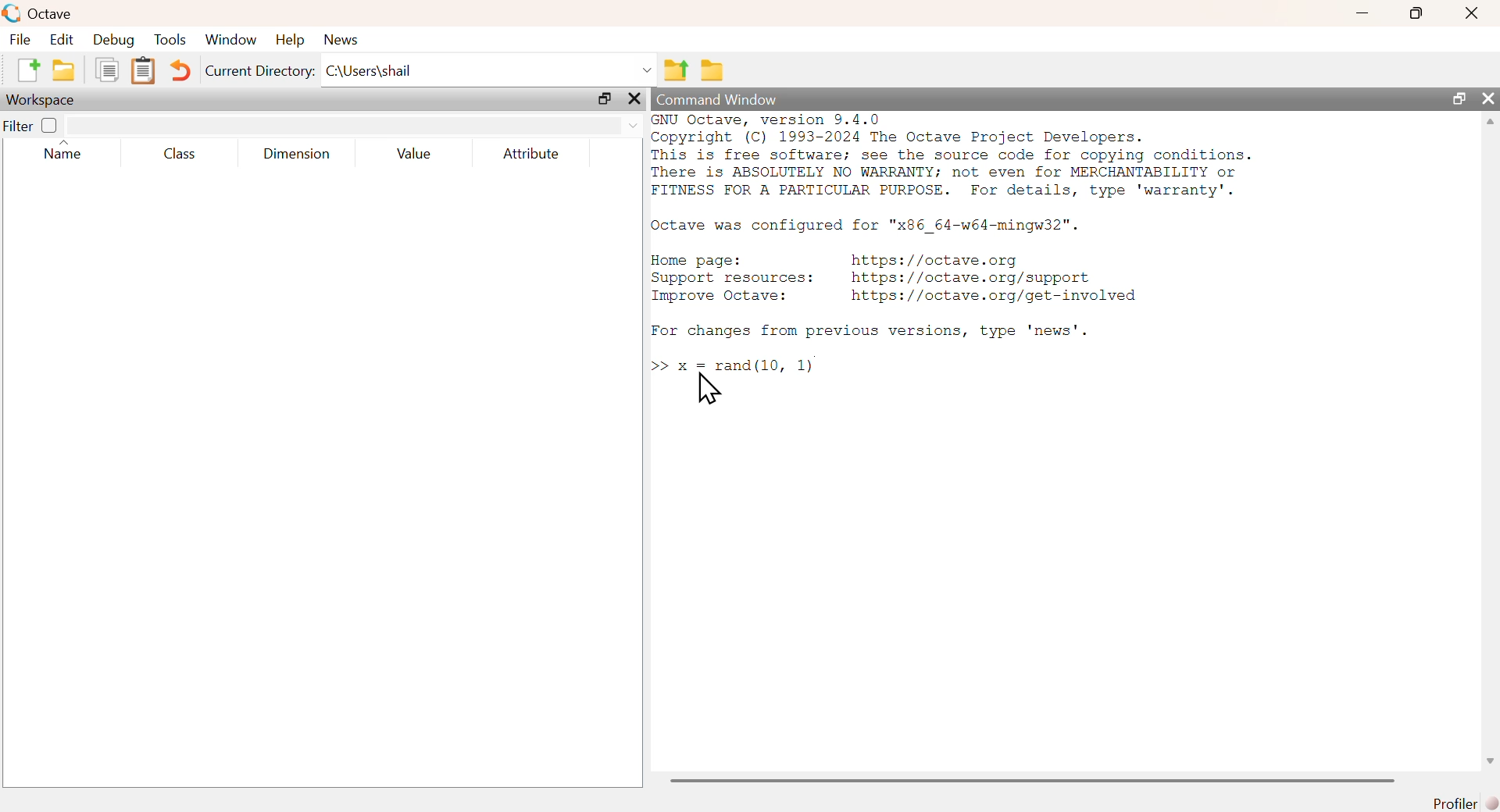  Describe the element at coordinates (1033, 781) in the screenshot. I see `scrollbar` at that location.